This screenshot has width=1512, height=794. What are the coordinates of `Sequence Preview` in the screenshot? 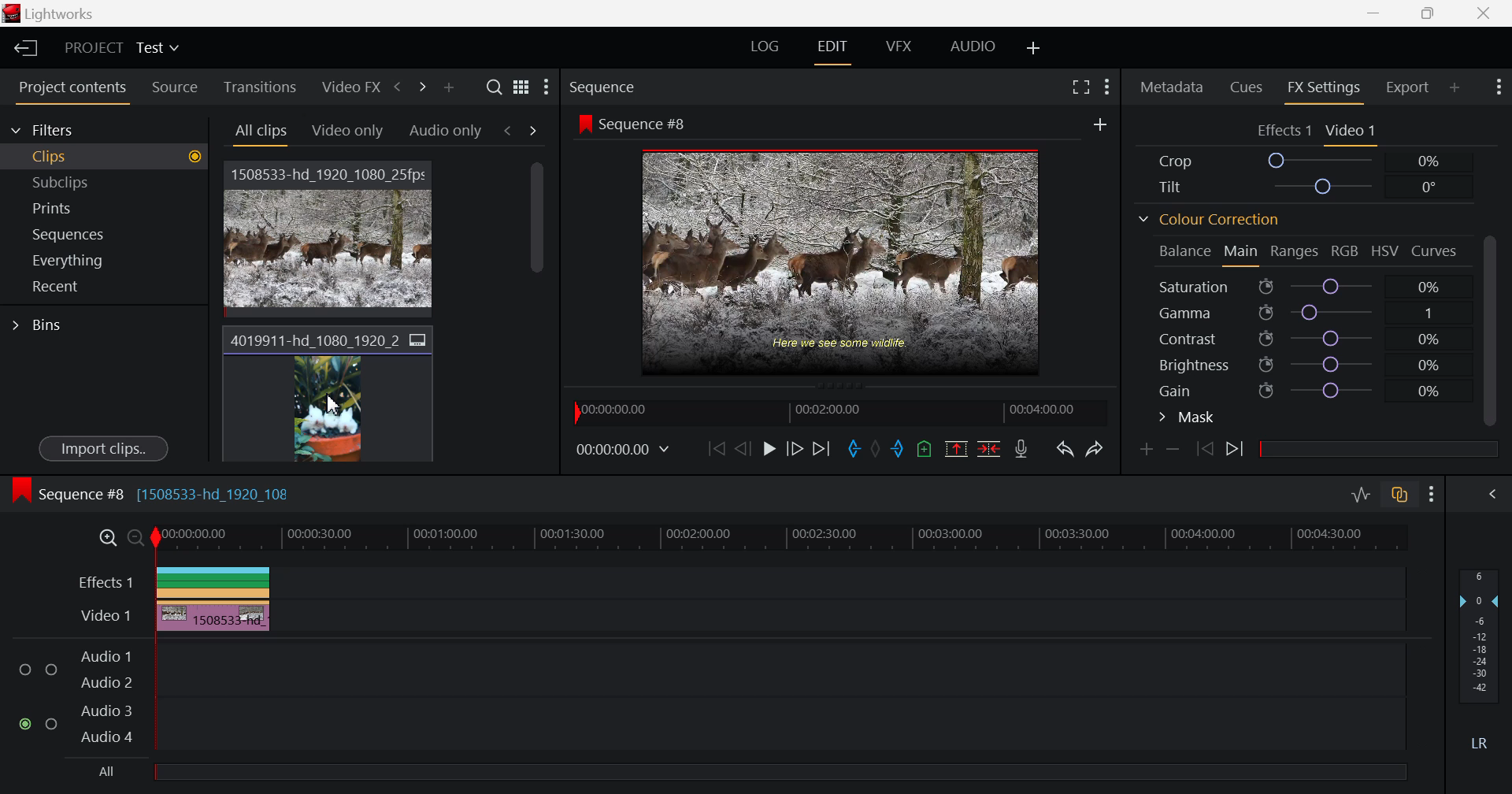 It's located at (817, 250).